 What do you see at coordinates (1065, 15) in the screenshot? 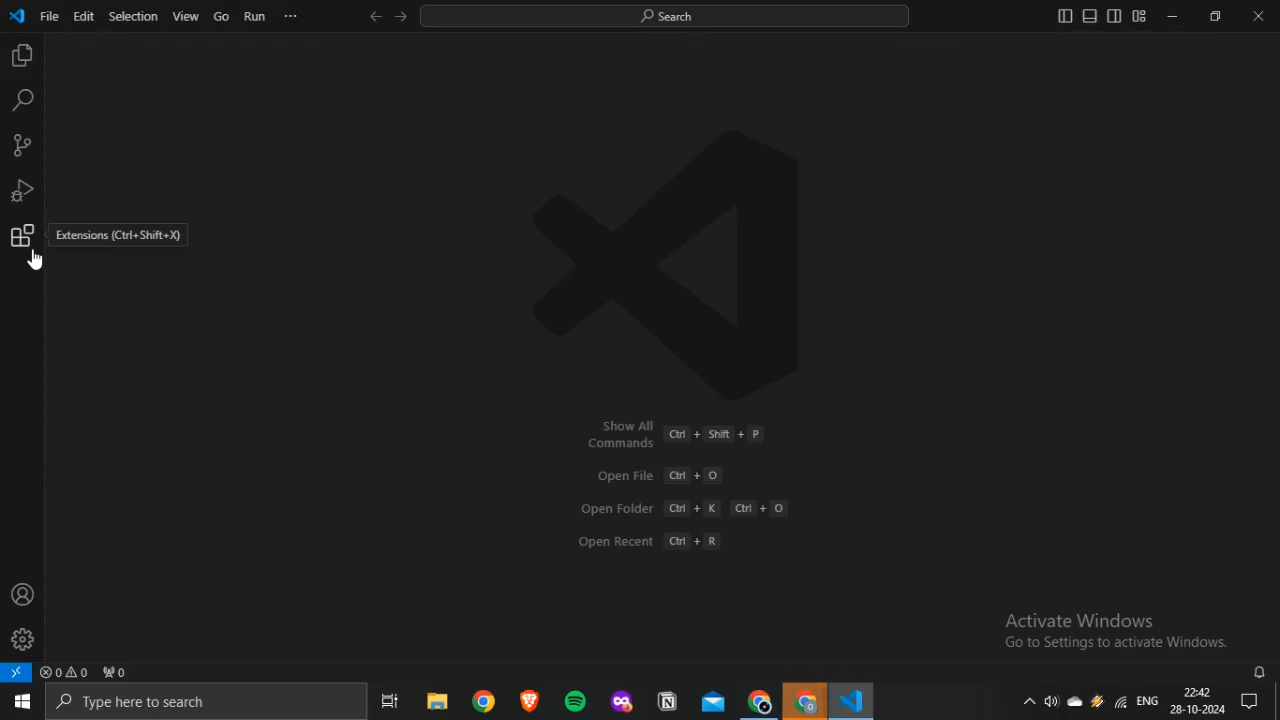
I see `toggle primary sidebar` at bounding box center [1065, 15].